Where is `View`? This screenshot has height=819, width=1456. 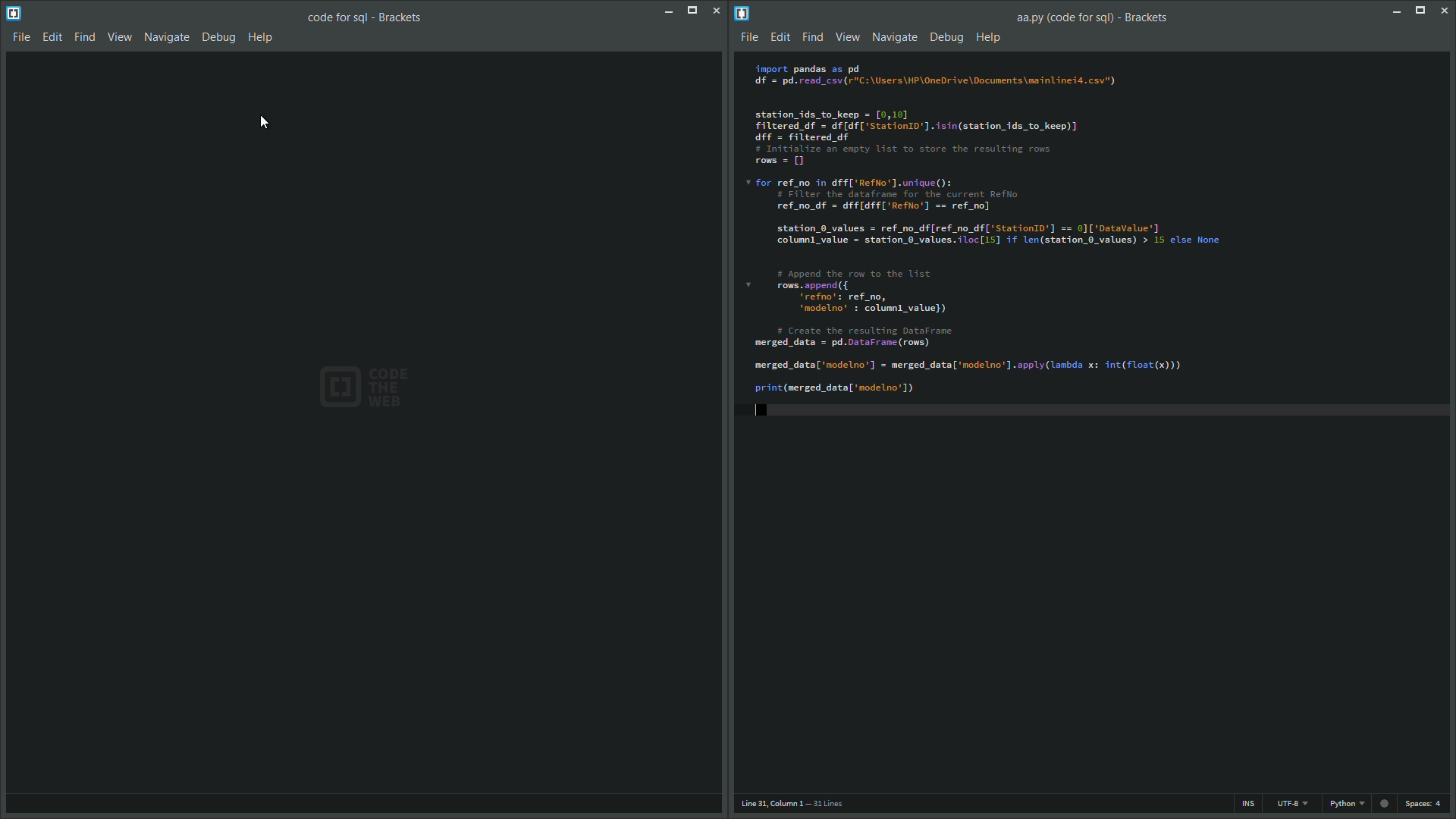
View is located at coordinates (848, 38).